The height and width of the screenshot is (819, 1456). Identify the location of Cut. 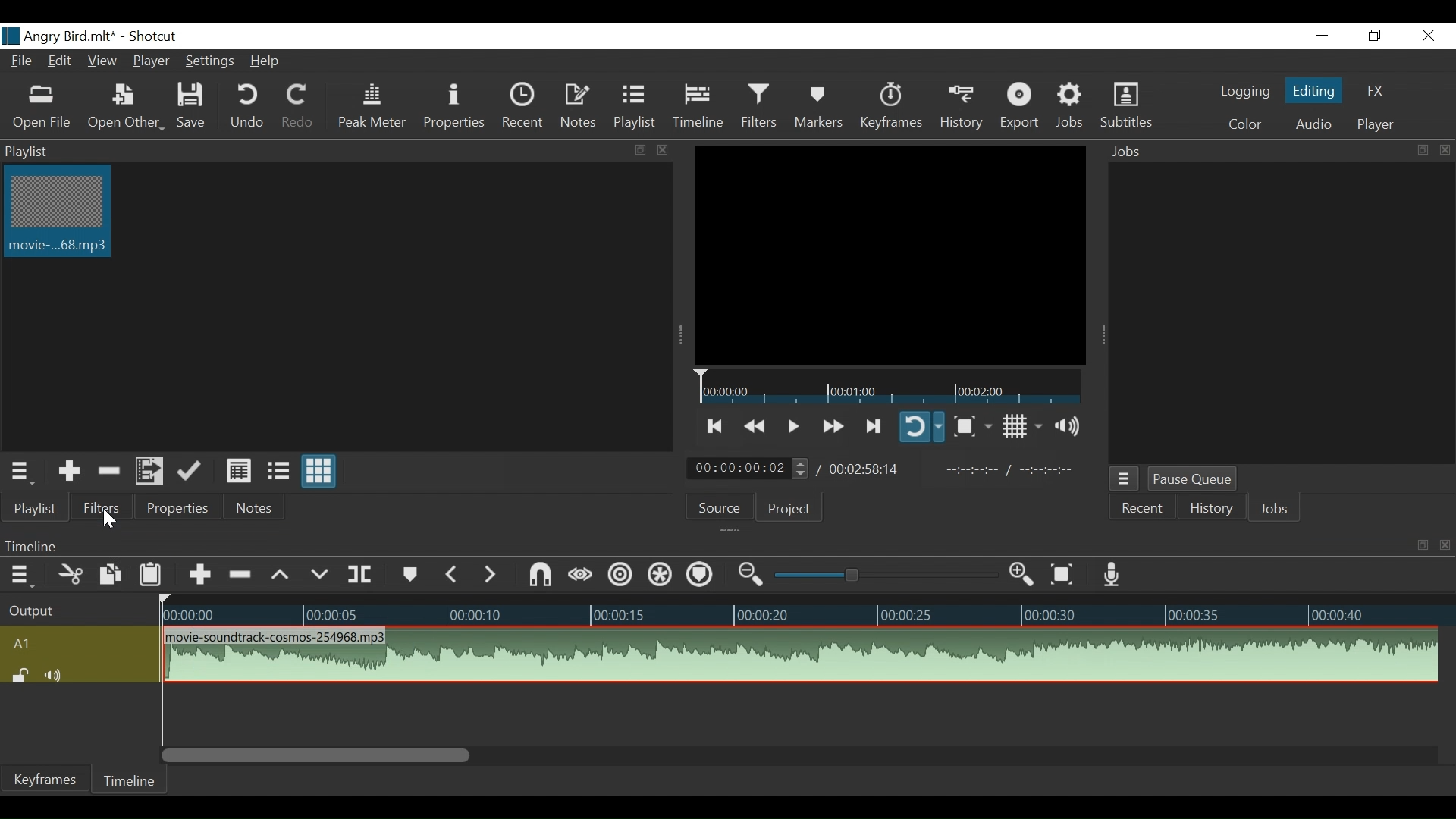
(67, 573).